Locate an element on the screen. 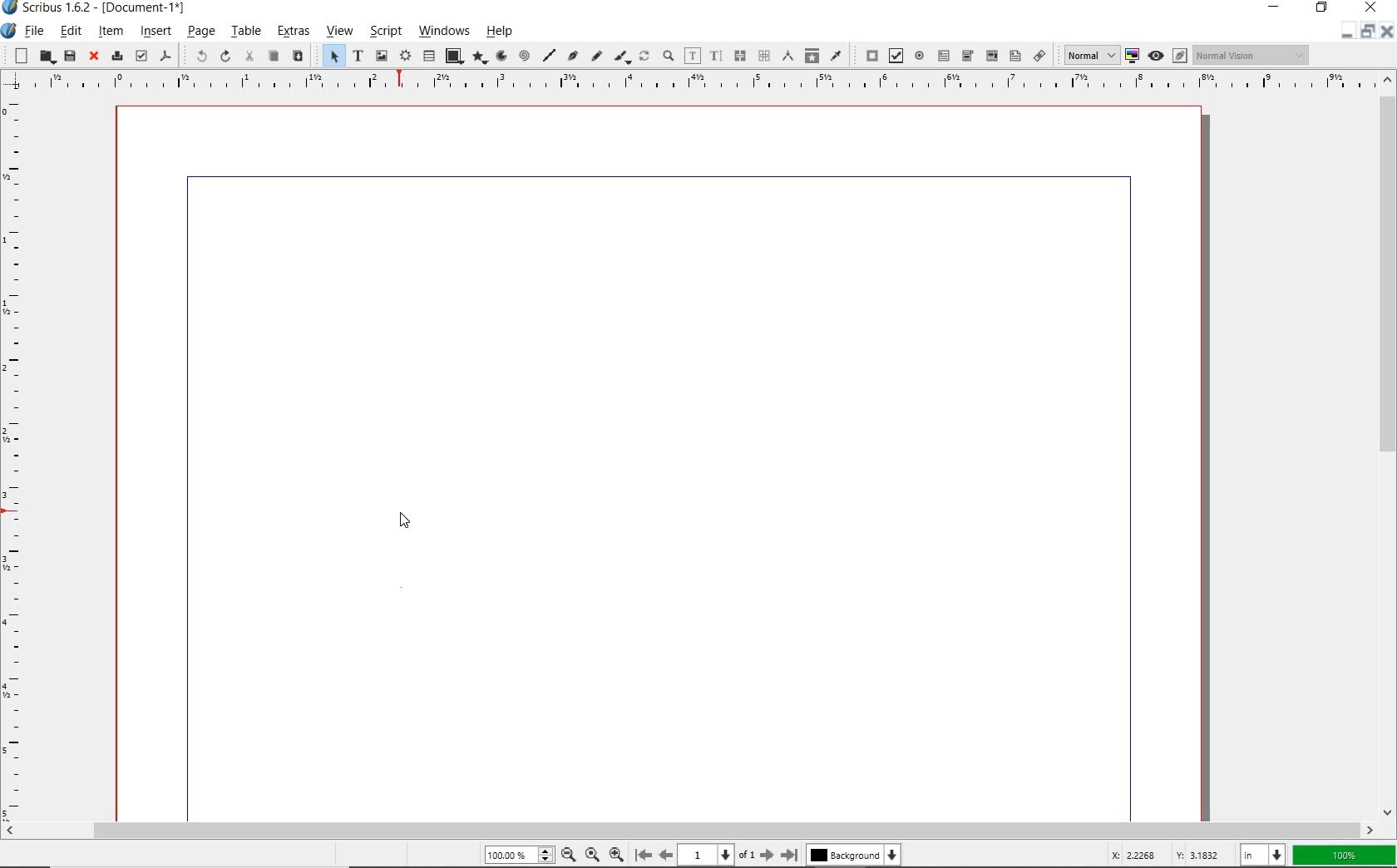  Previous page is located at coordinates (664, 855).